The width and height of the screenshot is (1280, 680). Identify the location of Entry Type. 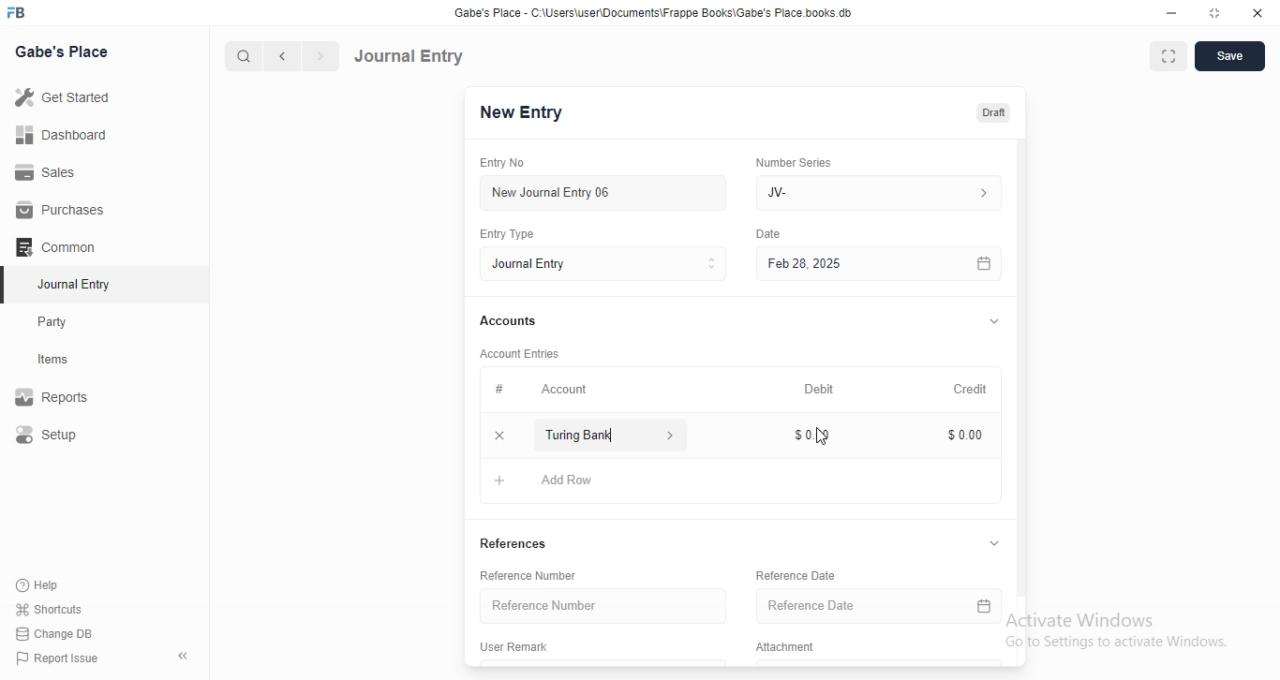
(602, 264).